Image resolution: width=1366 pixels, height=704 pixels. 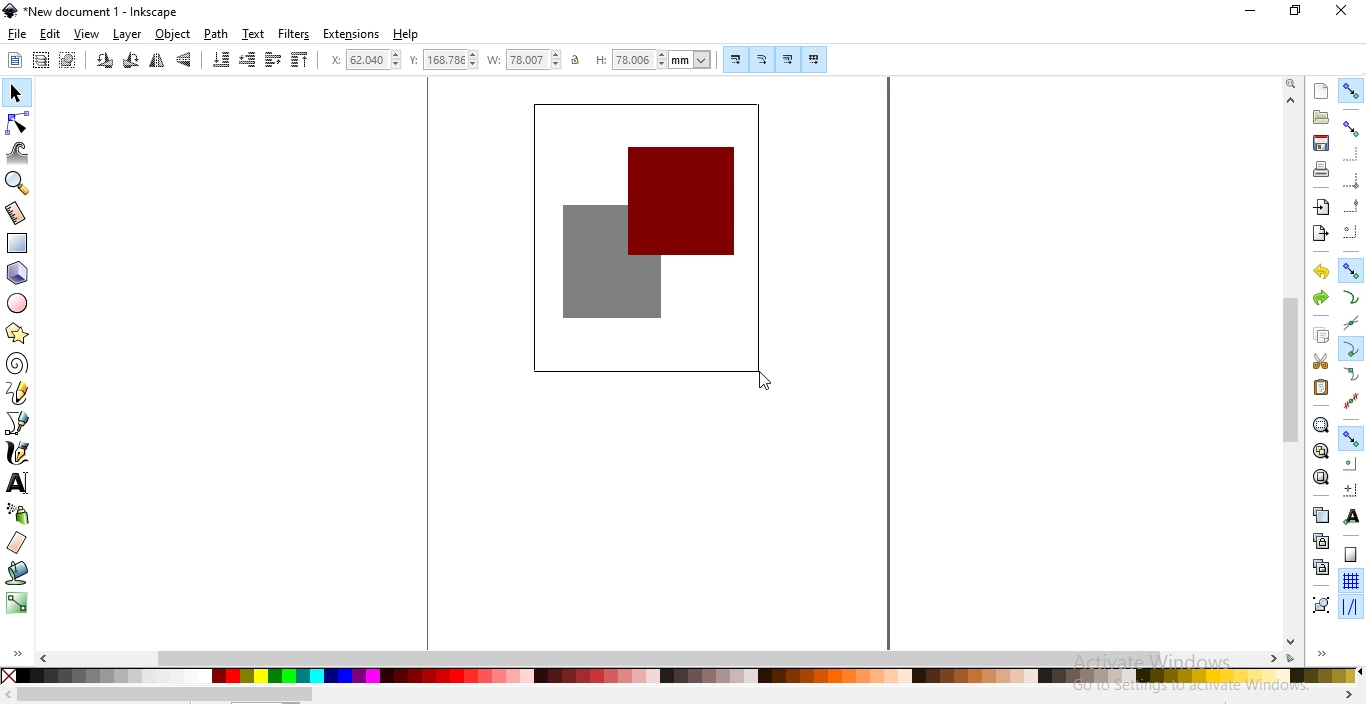 I want to click on new document 1 - Inkscape, so click(x=92, y=11).